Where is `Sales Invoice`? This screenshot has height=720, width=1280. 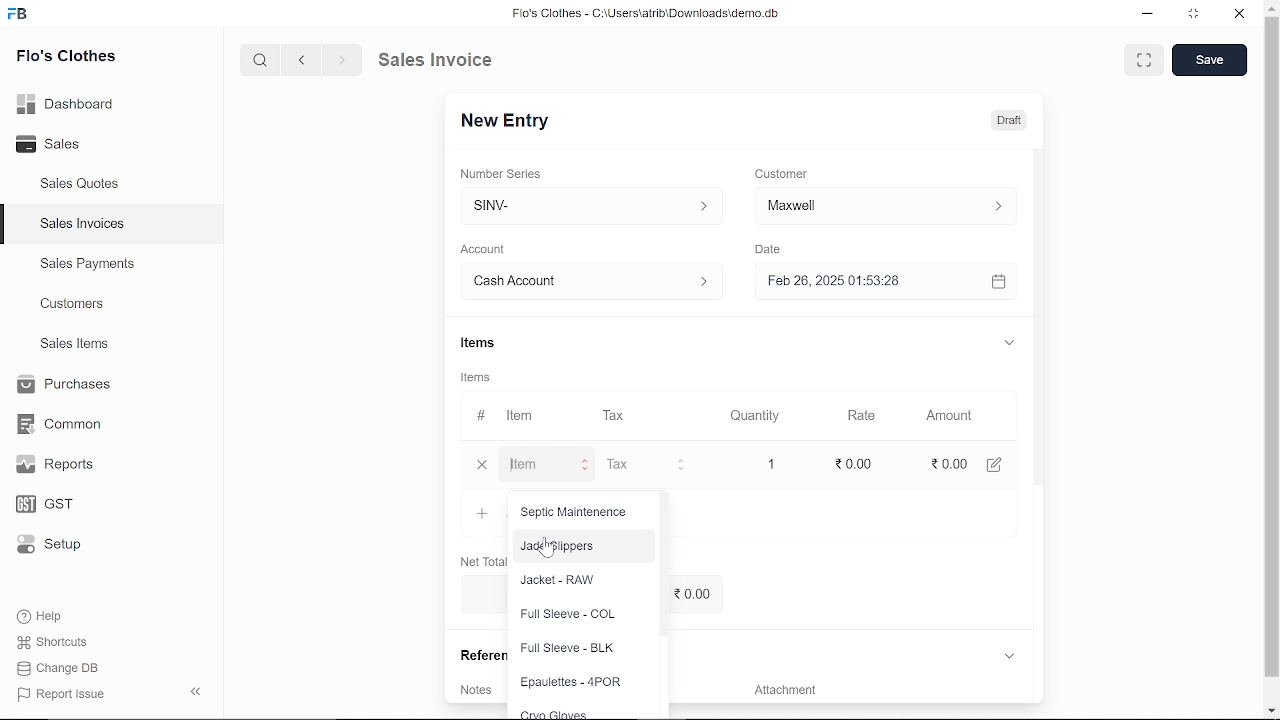 Sales Invoice is located at coordinates (450, 59).